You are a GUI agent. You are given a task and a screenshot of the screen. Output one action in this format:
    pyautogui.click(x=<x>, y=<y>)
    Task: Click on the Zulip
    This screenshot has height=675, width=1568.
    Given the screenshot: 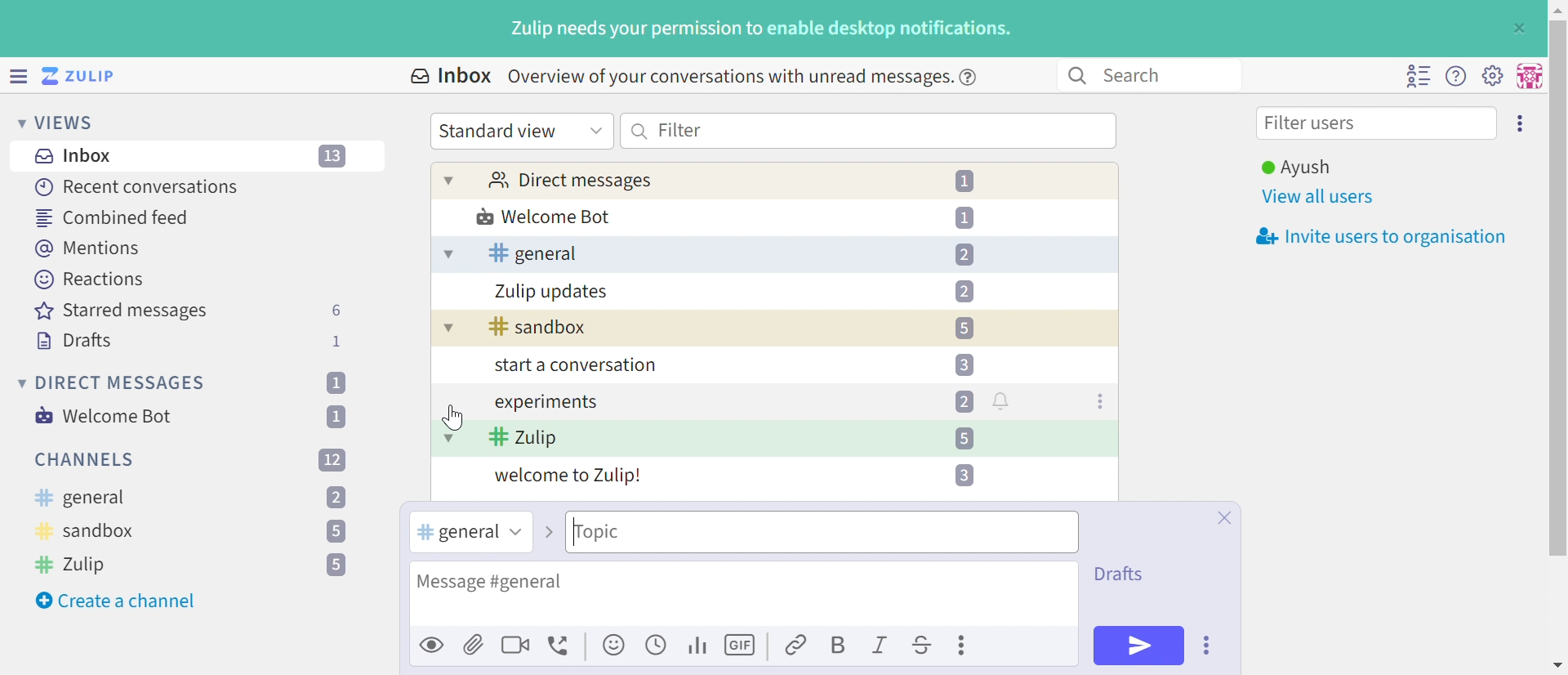 What is the action you would take?
    pyautogui.click(x=523, y=439)
    